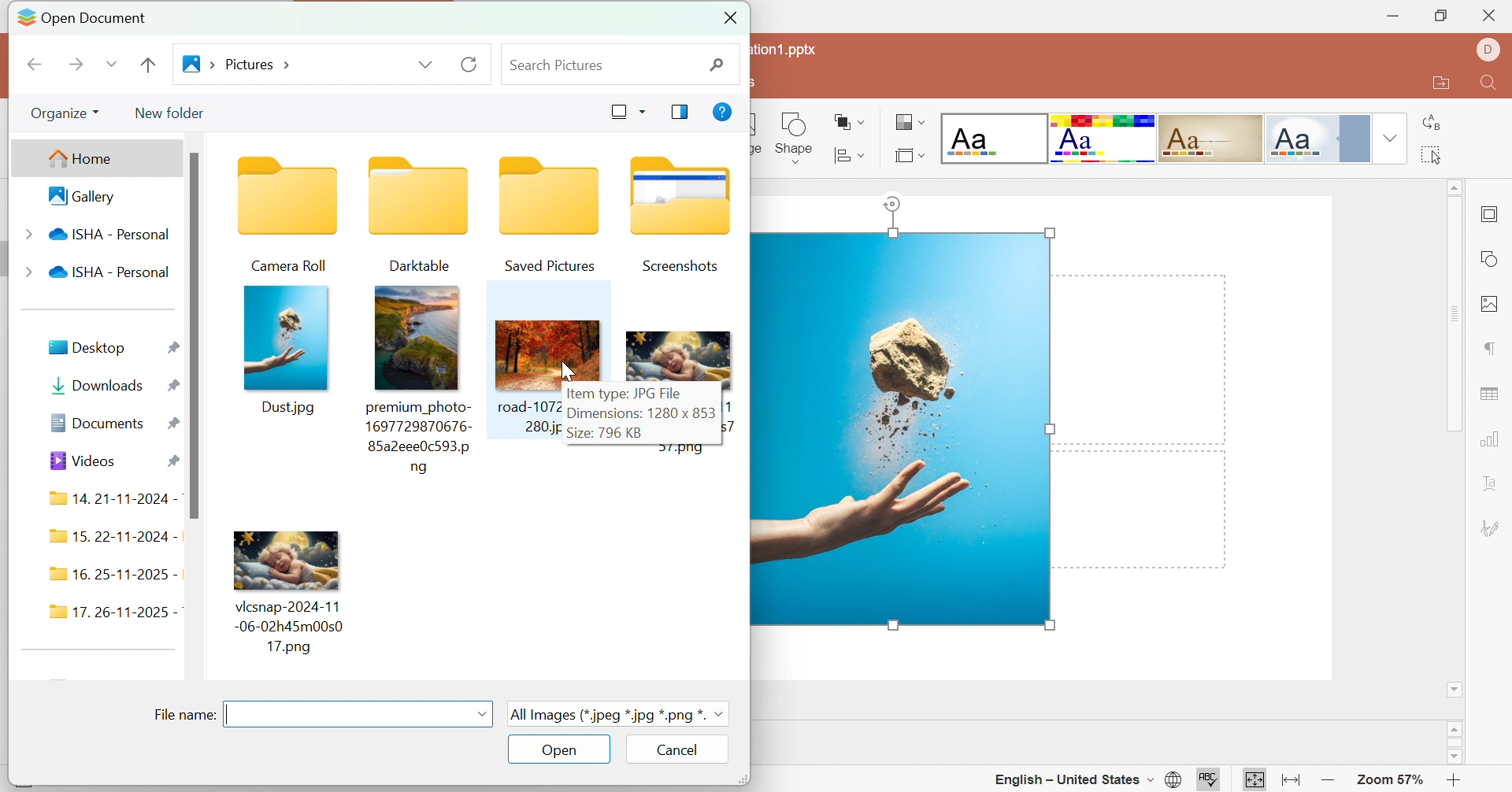 The height and width of the screenshot is (792, 1512). Describe the element at coordinates (414, 437) in the screenshot. I see `photo name` at that location.